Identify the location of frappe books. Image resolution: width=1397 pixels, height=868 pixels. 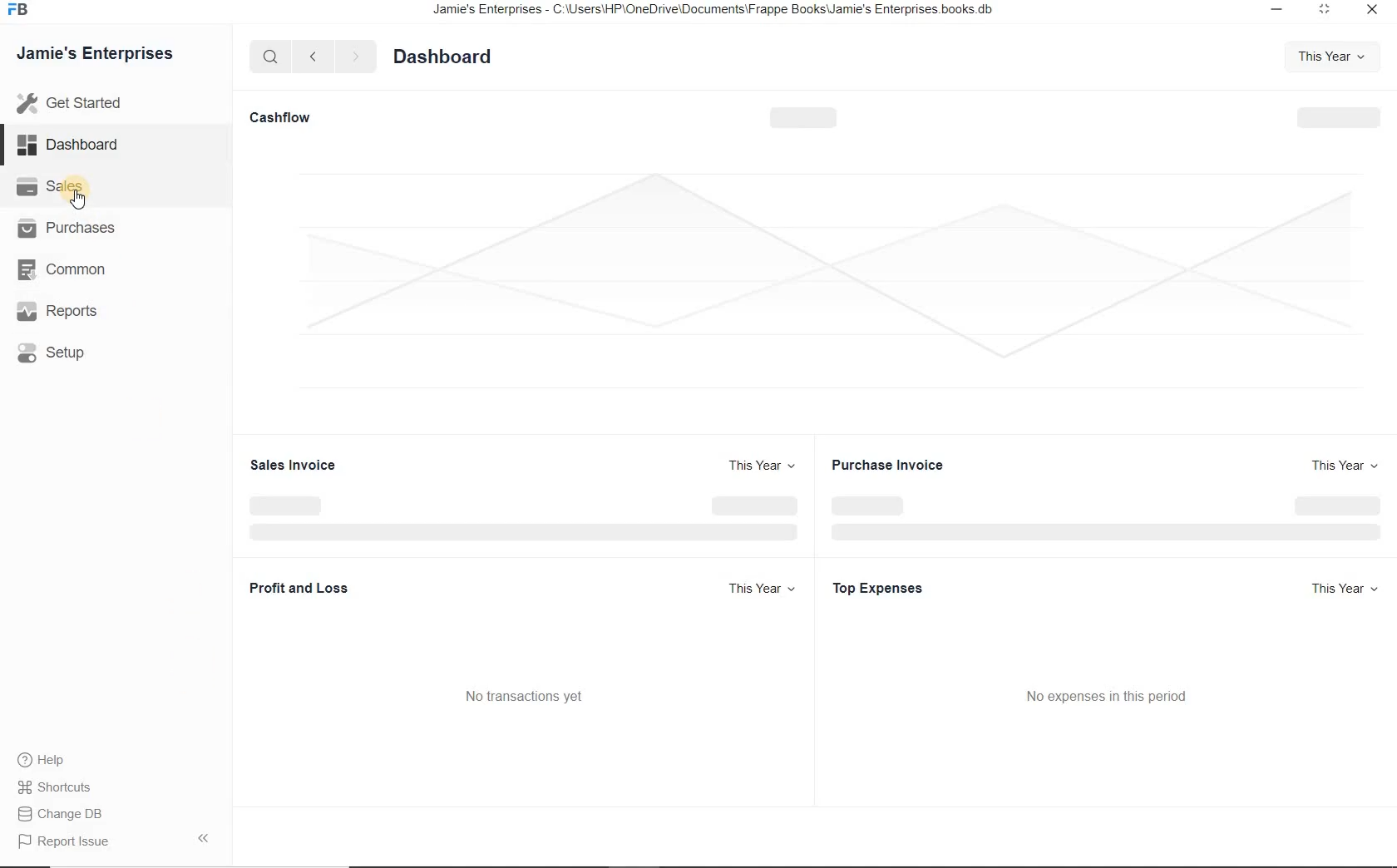
(17, 11).